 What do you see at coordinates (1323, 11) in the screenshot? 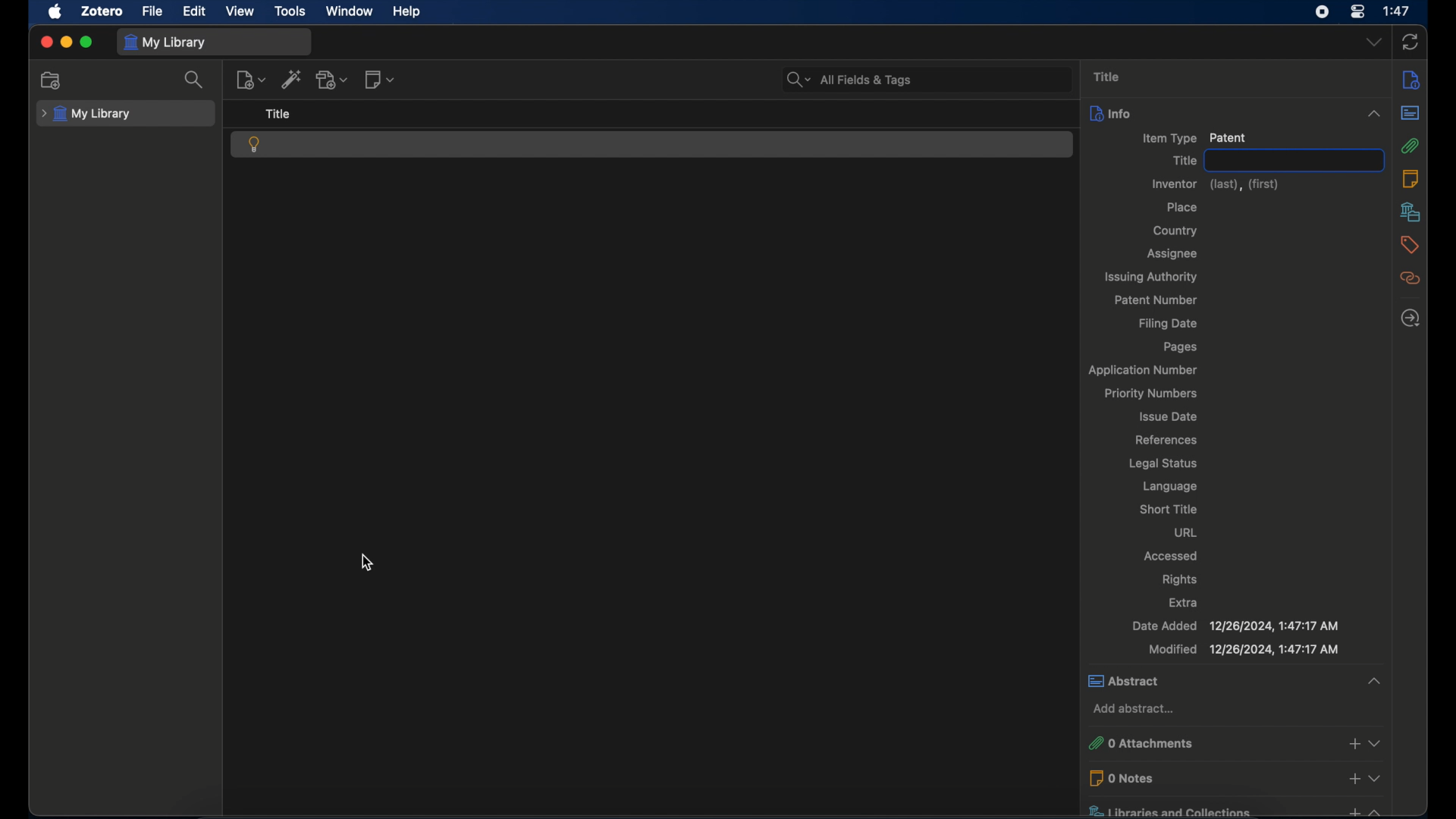
I see `screen recorder` at bounding box center [1323, 11].